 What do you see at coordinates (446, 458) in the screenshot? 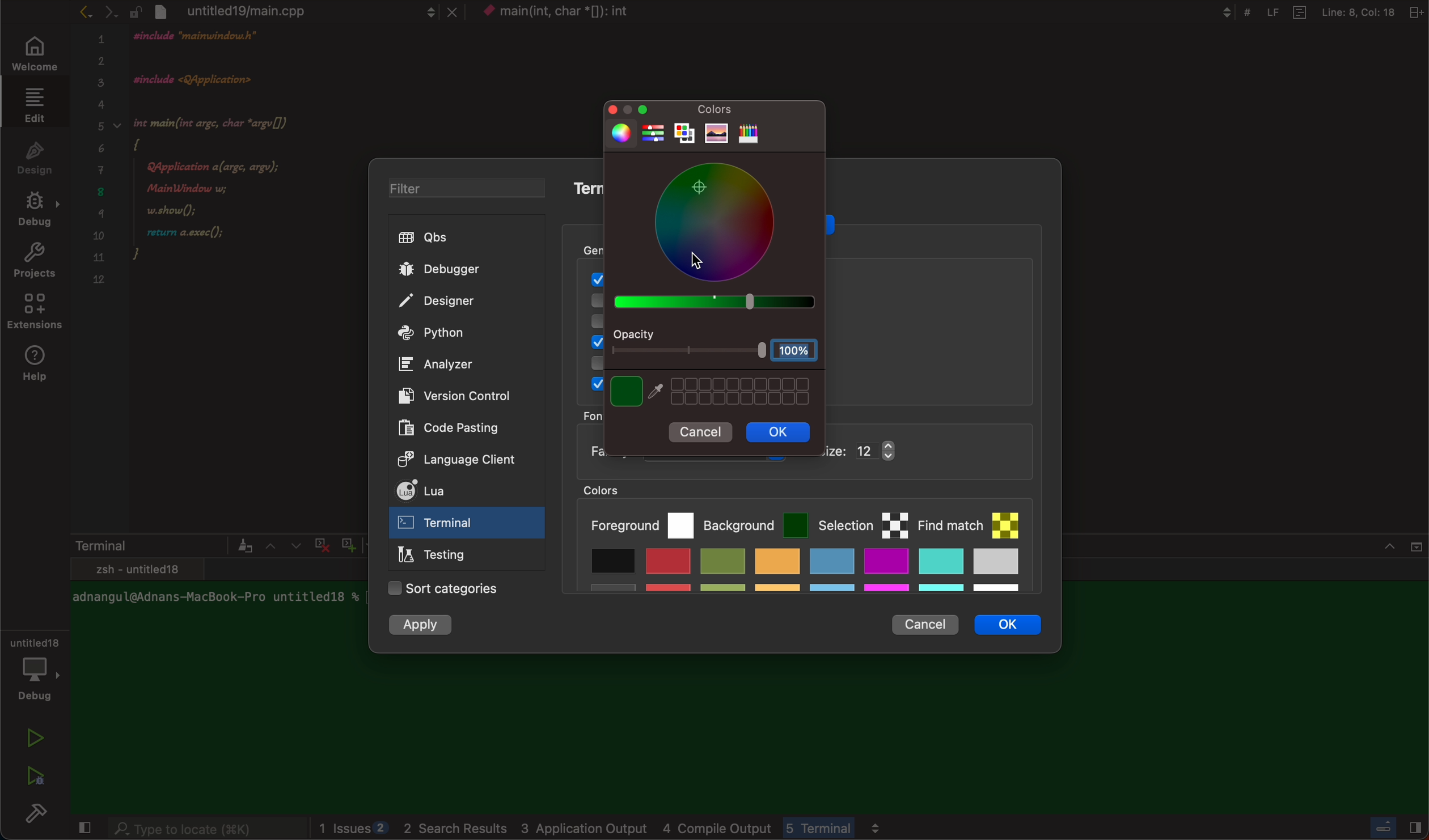
I see `language client` at bounding box center [446, 458].